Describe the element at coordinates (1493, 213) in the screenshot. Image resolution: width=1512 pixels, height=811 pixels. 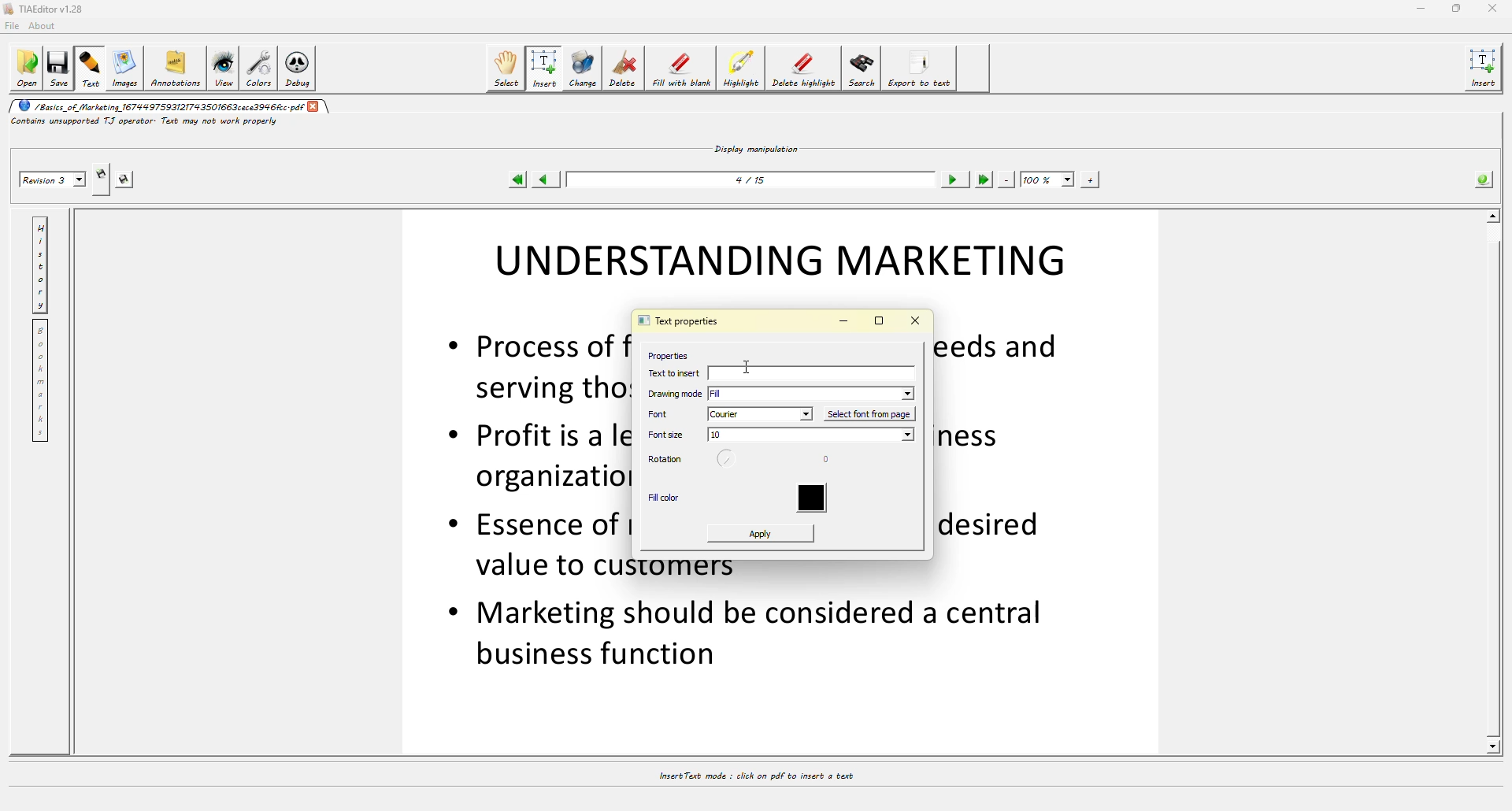
I see `scroll up` at that location.